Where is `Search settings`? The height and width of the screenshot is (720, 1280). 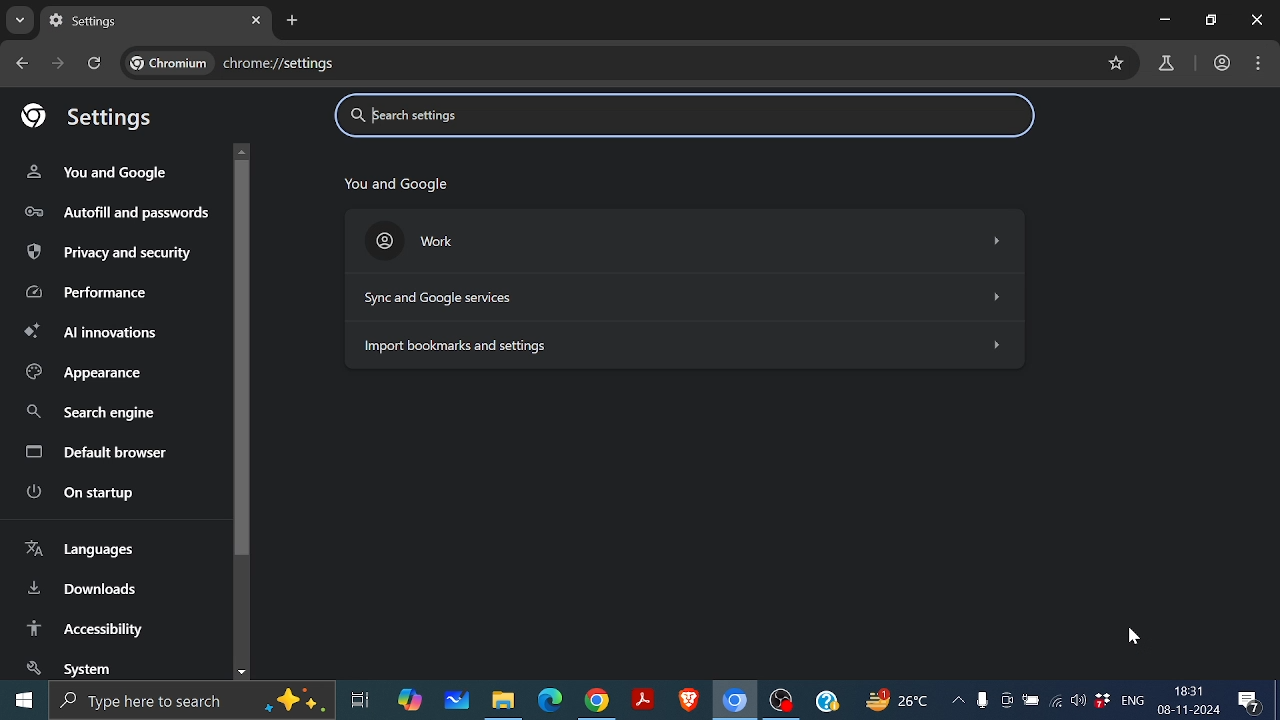 Search settings is located at coordinates (681, 114).